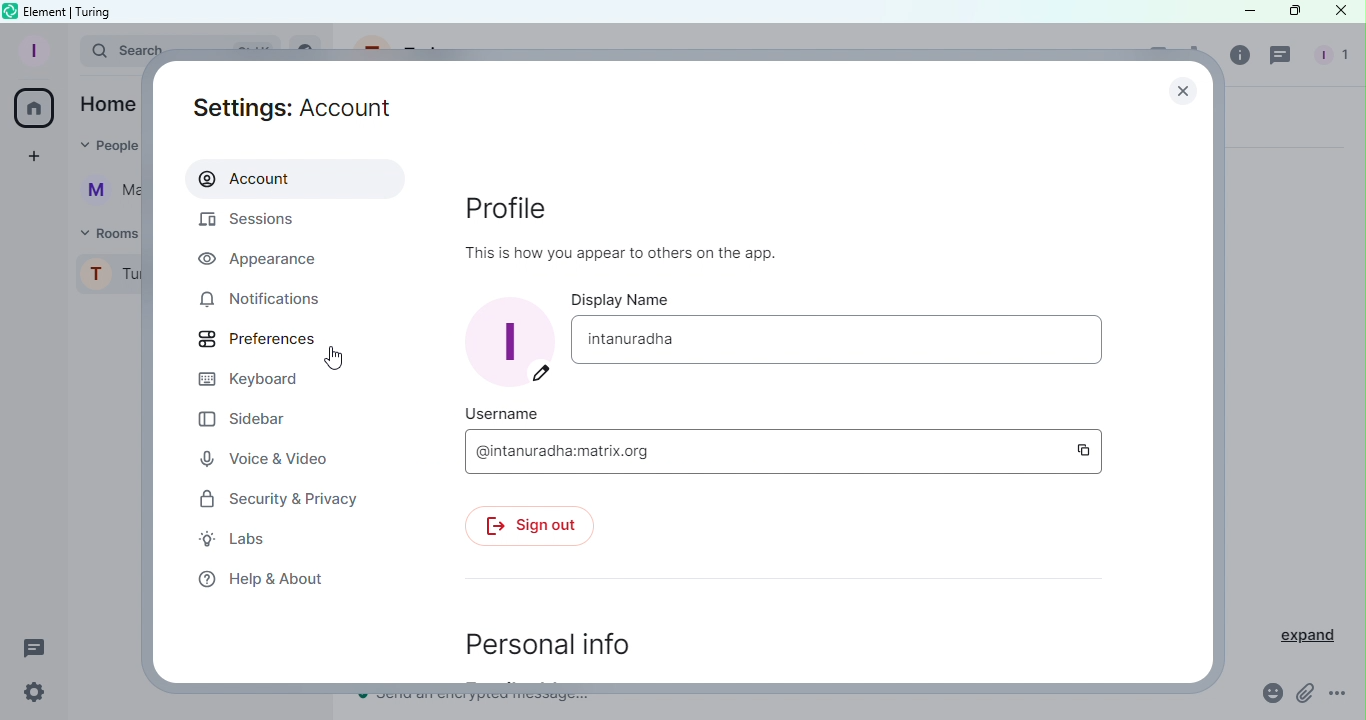  I want to click on Account, so click(297, 180).